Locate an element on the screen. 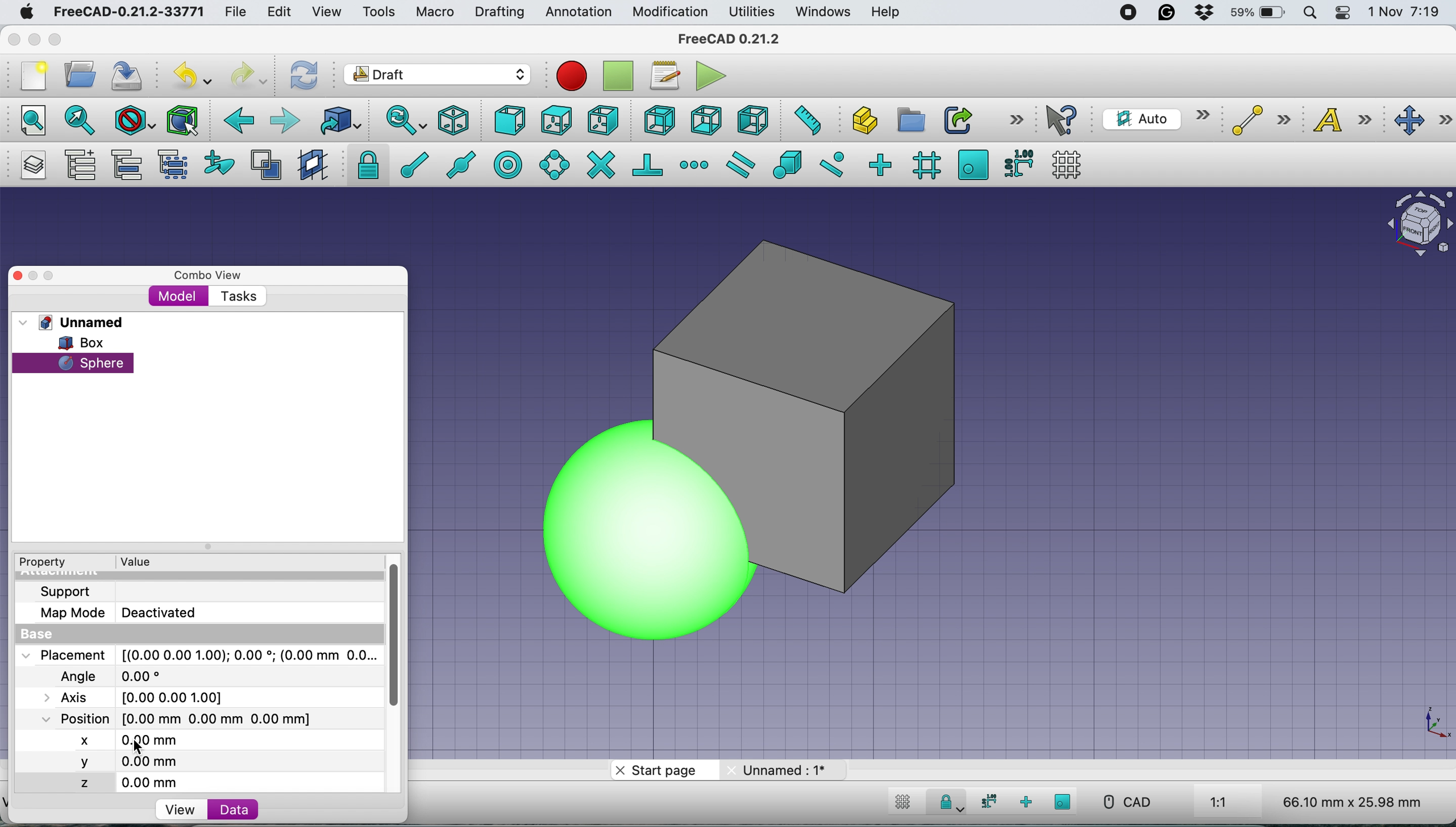  snap endpoint is located at coordinates (408, 169).